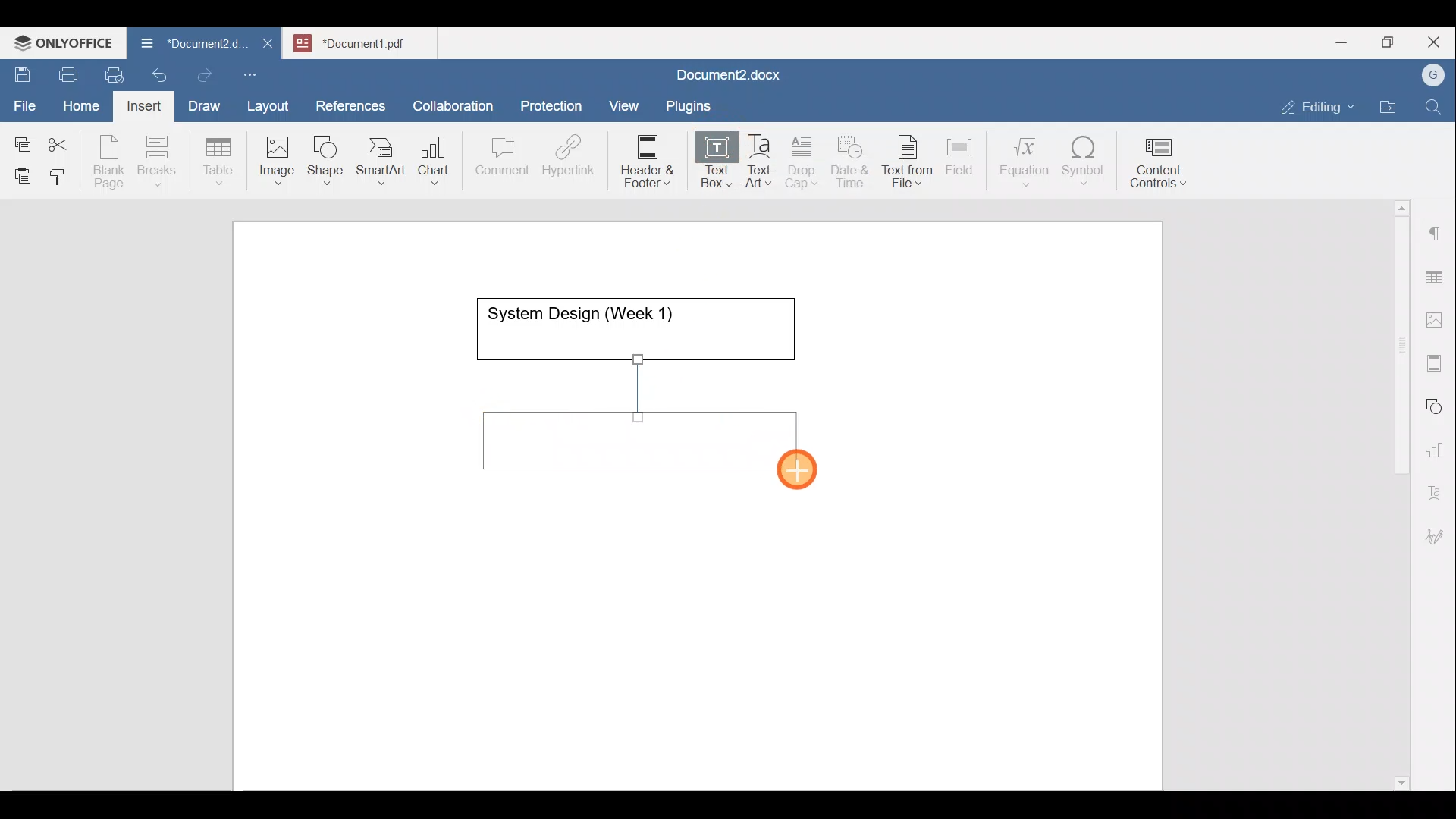 The height and width of the screenshot is (819, 1456). I want to click on SmartArt, so click(378, 158).